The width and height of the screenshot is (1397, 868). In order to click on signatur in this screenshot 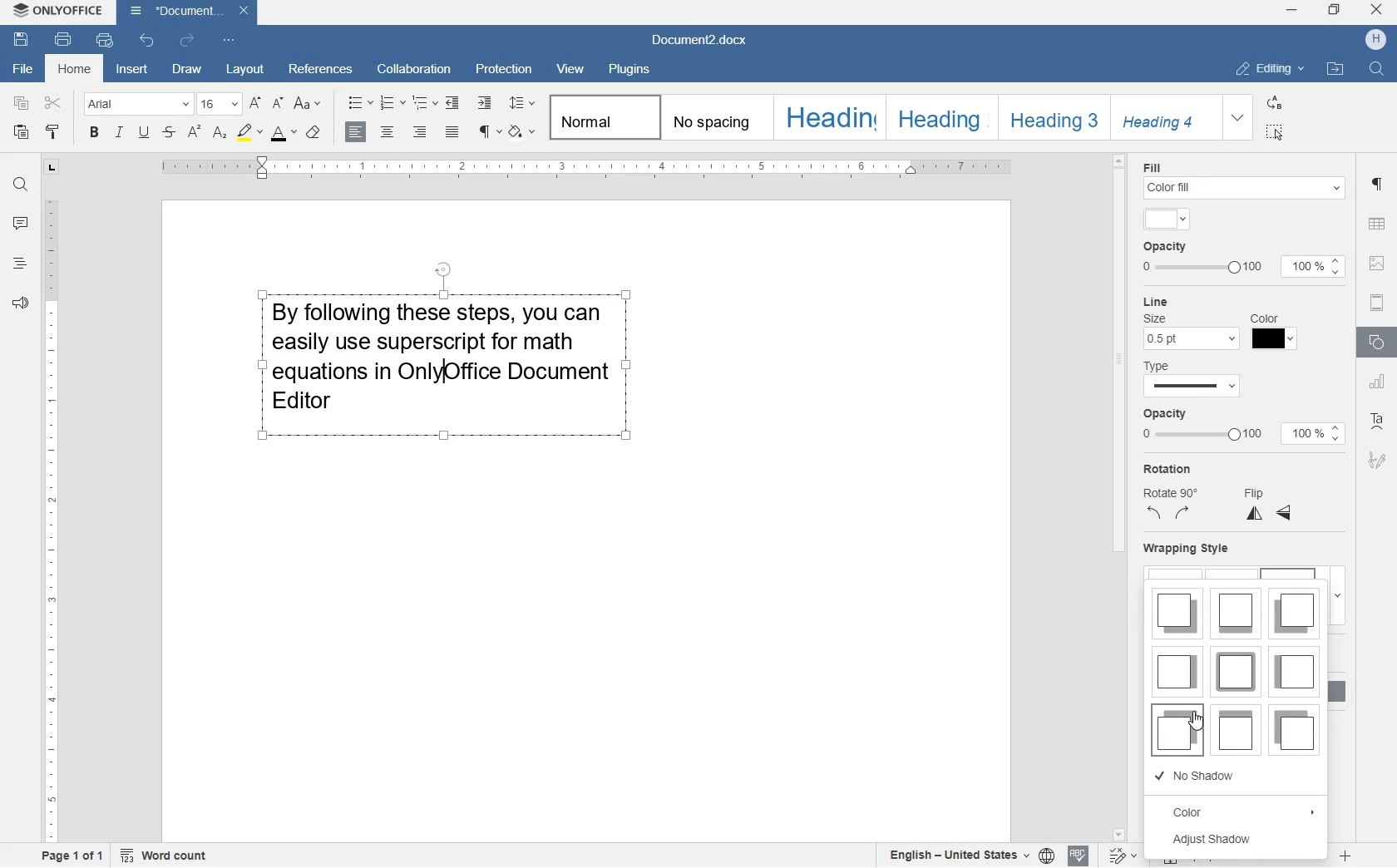, I will do `click(1377, 462)`.